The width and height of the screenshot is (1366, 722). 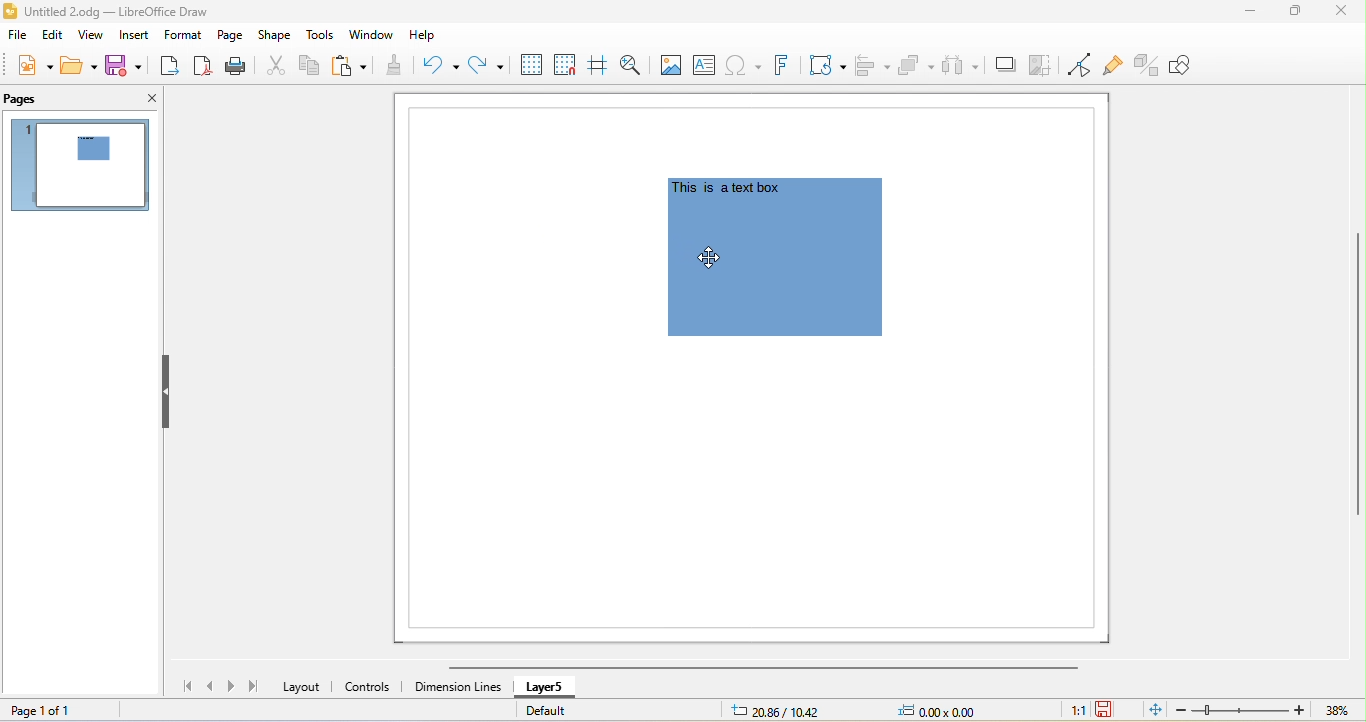 I want to click on paste, so click(x=354, y=67).